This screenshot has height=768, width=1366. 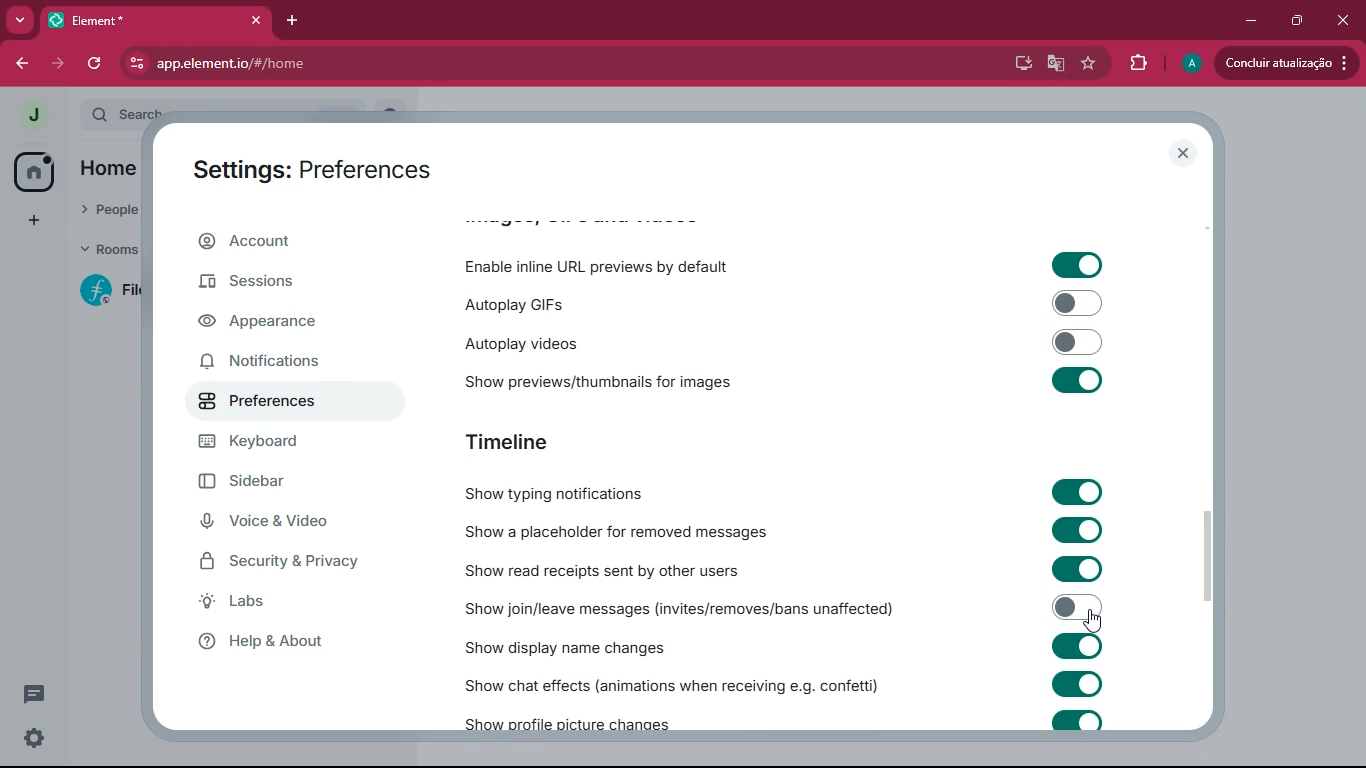 I want to click on toggle on/off, so click(x=1078, y=492).